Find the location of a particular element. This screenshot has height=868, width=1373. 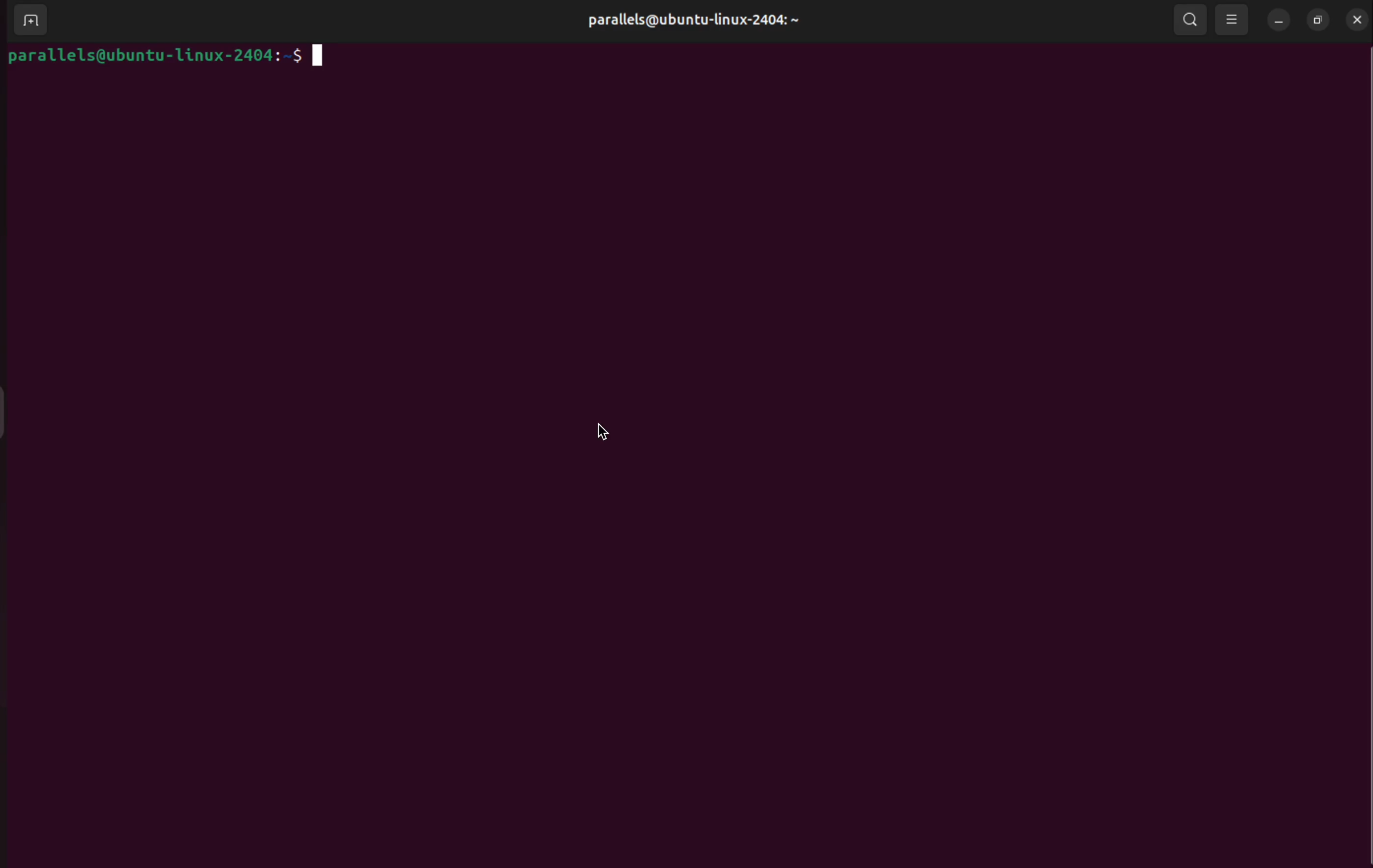

parallels@ubuntu-linux-2404:~ is located at coordinates (697, 19).